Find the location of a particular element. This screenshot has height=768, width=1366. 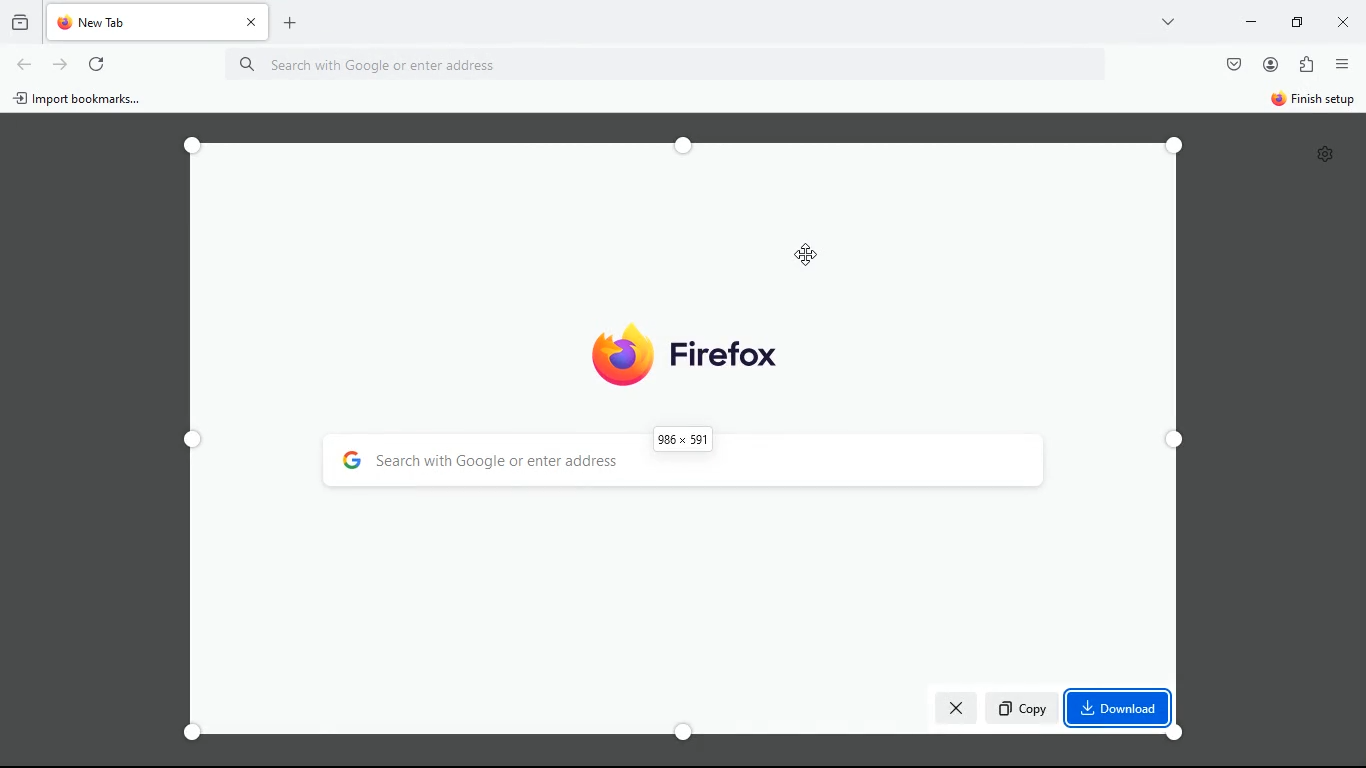

Settings is located at coordinates (1326, 154).